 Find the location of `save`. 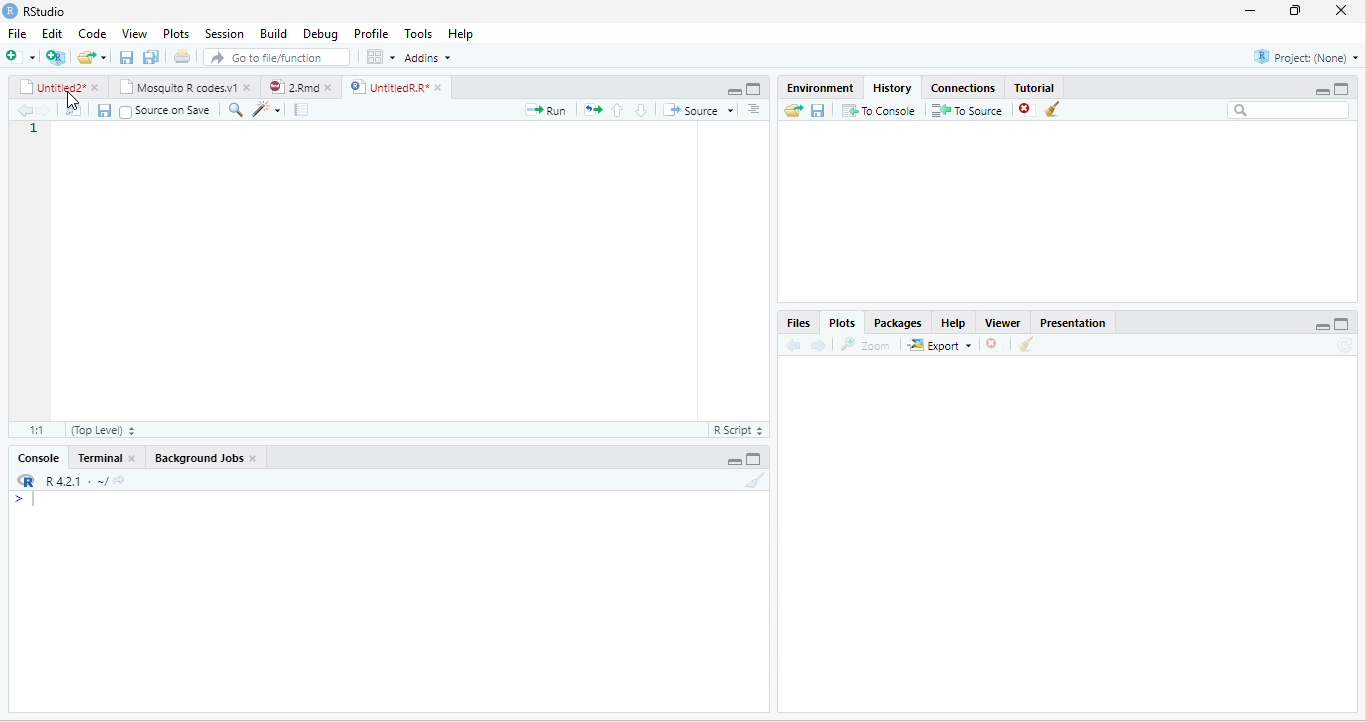

save is located at coordinates (98, 110).